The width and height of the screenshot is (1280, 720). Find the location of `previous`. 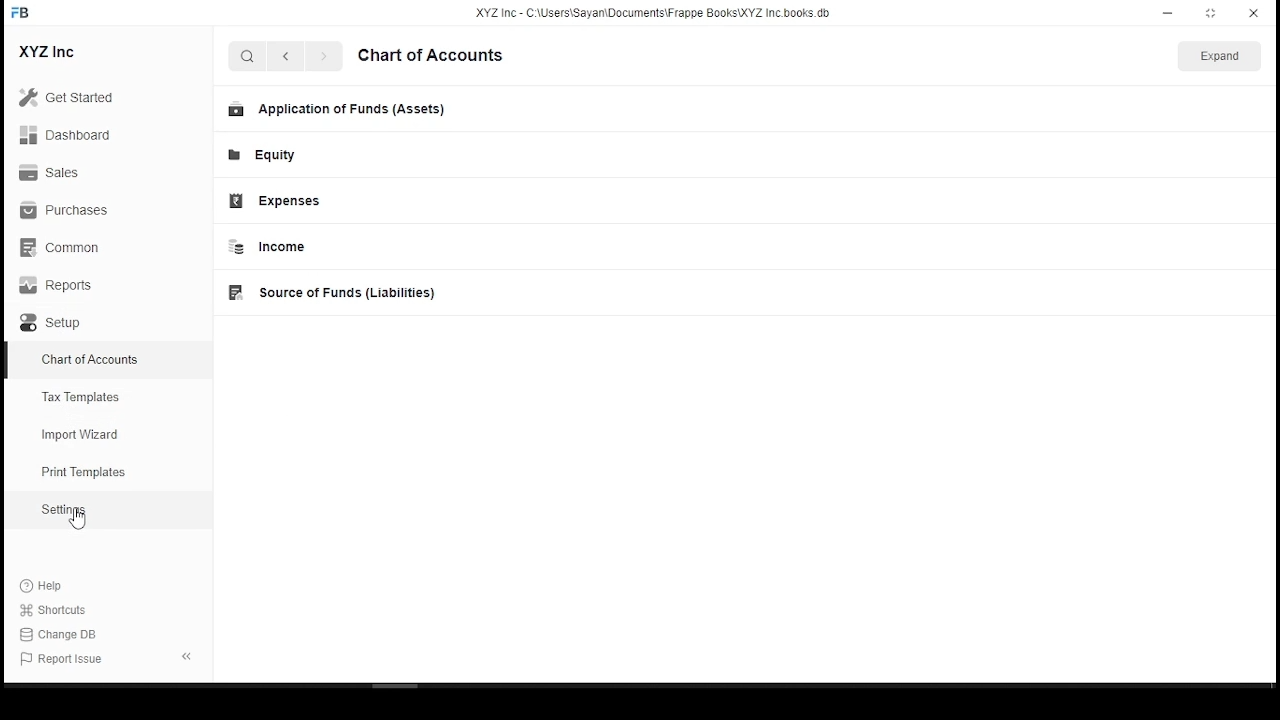

previous is located at coordinates (283, 57).